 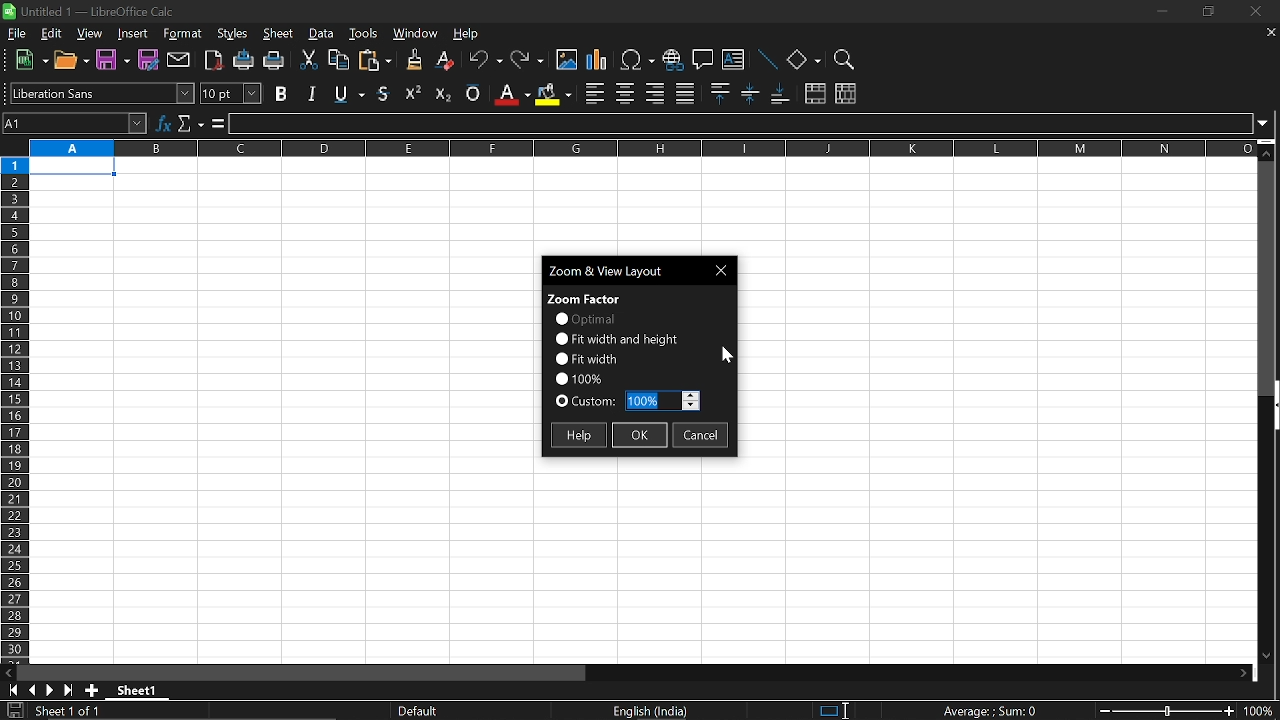 What do you see at coordinates (528, 61) in the screenshot?
I see `redo` at bounding box center [528, 61].